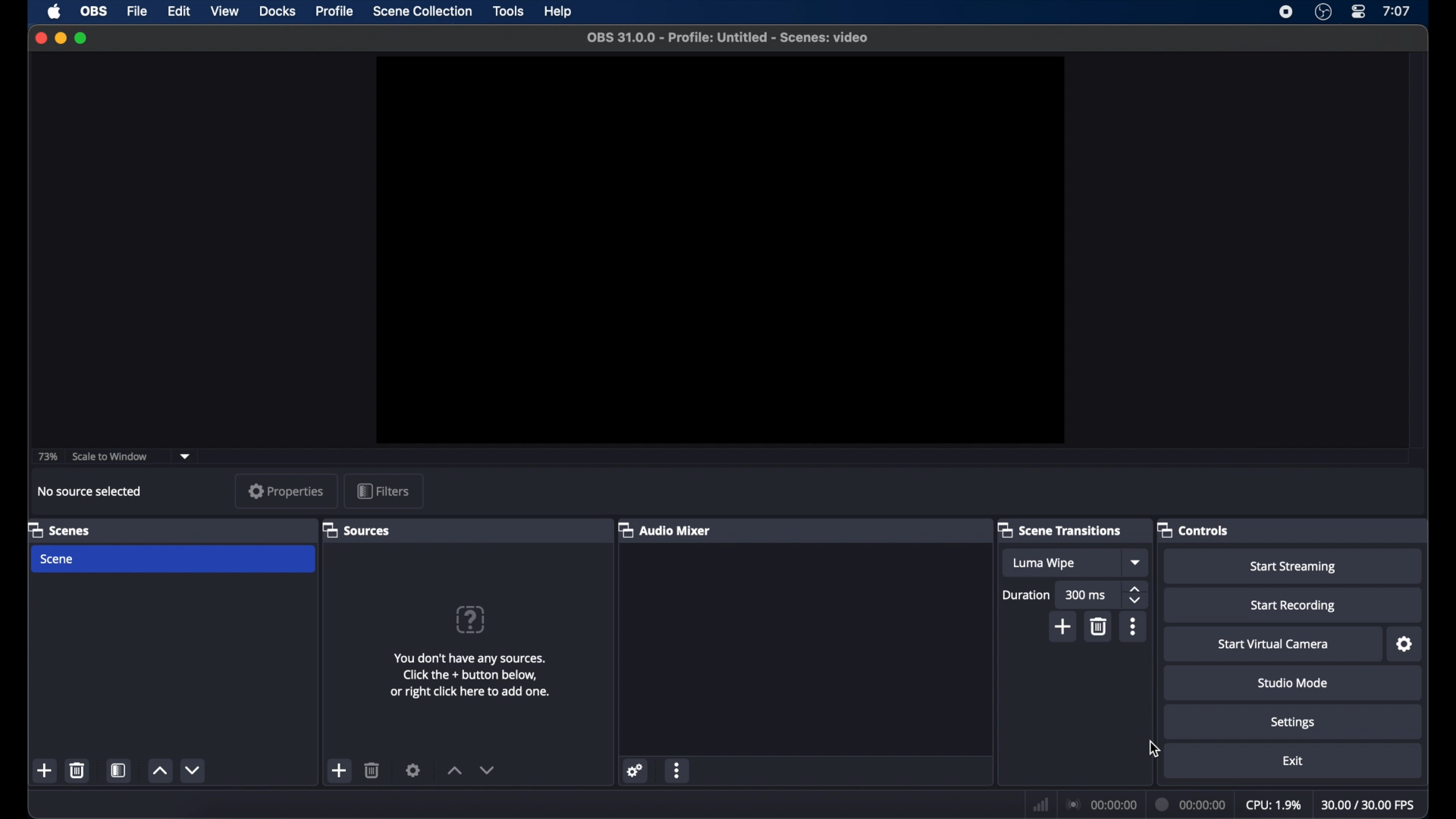 The height and width of the screenshot is (819, 1456). Describe the element at coordinates (413, 770) in the screenshot. I see `settings` at that location.